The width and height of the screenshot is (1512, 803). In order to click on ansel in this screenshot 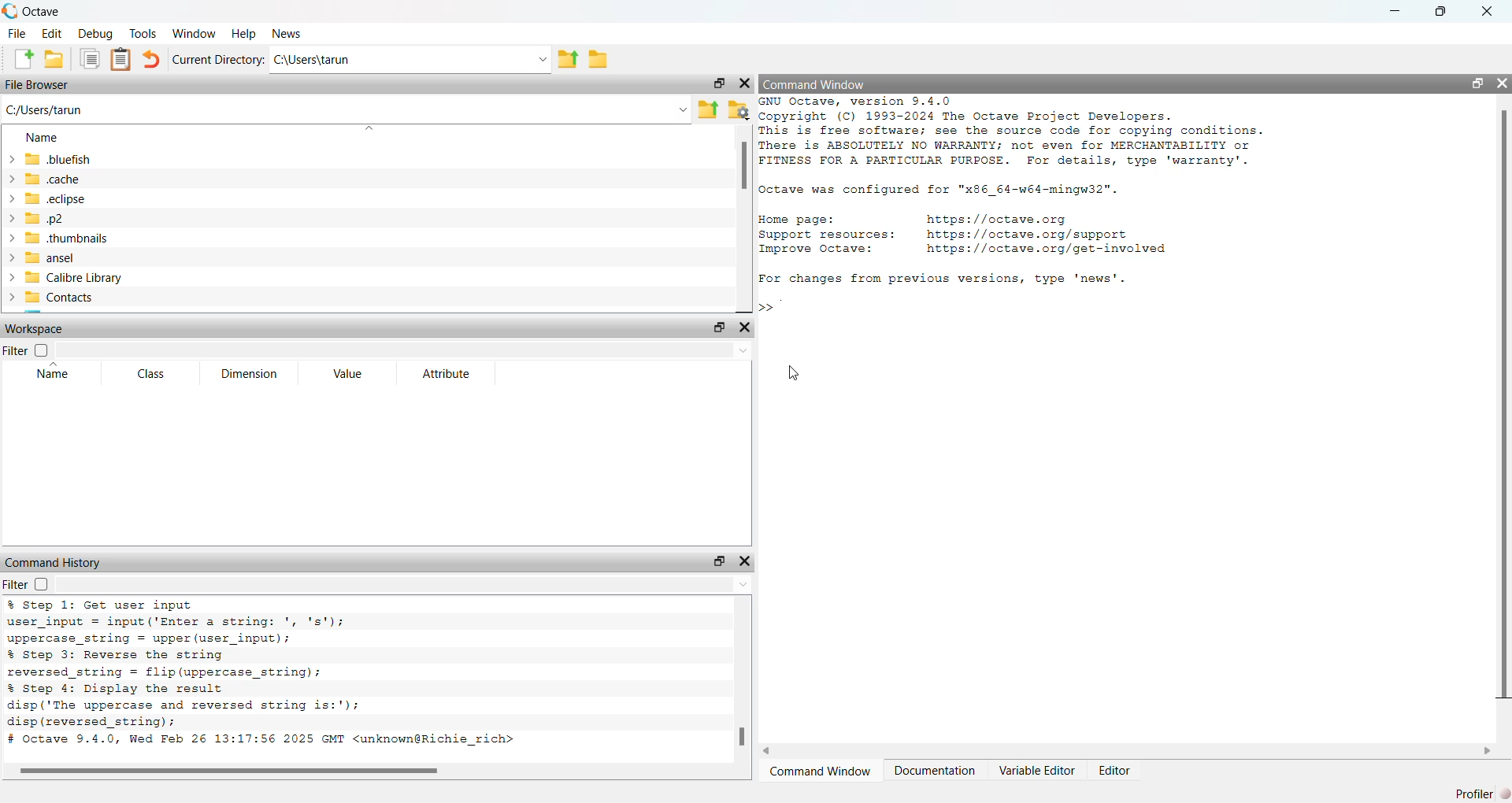, I will do `click(72, 259)`.